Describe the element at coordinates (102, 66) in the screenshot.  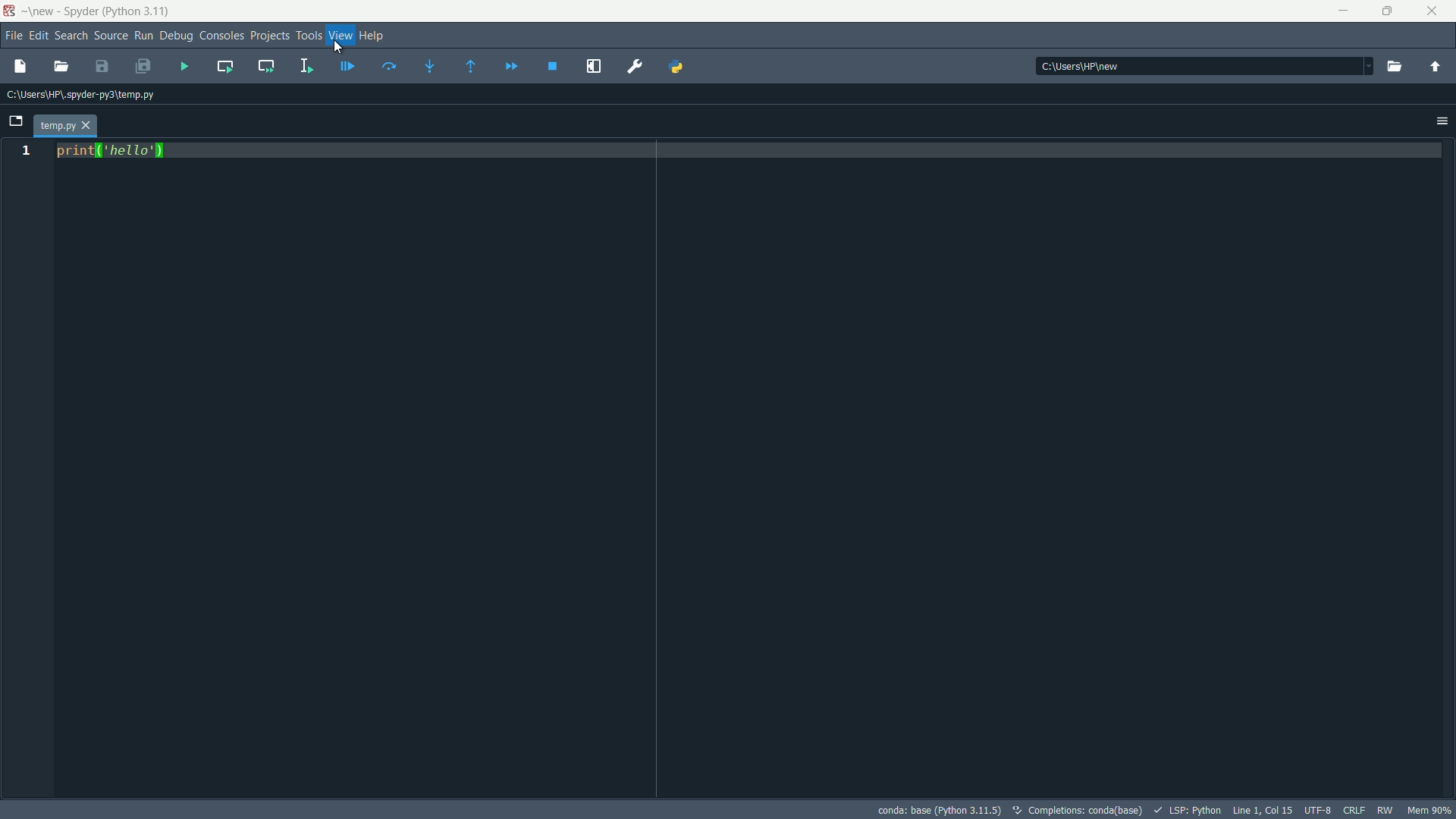
I see `save file` at that location.